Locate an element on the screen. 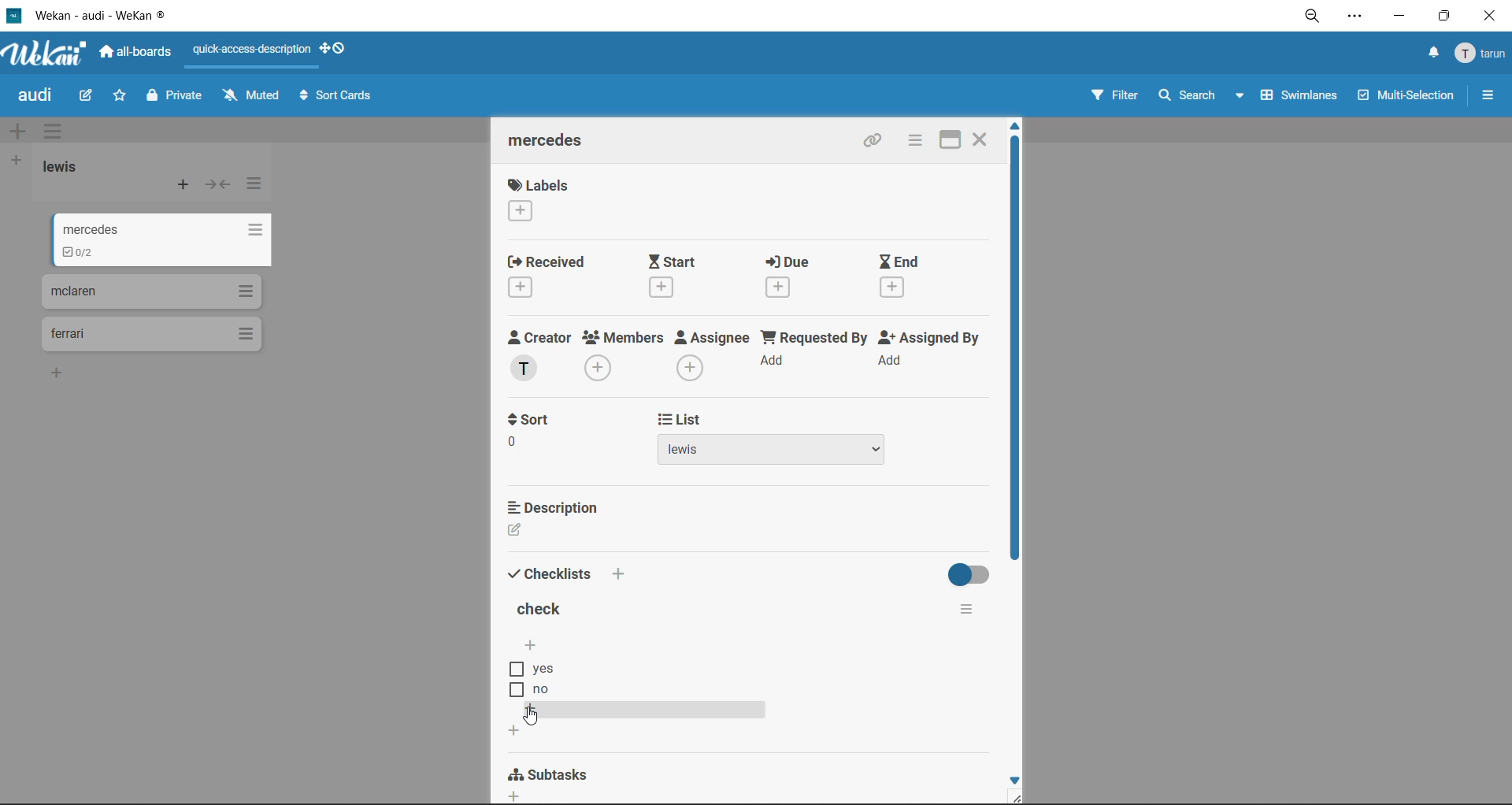 This screenshot has height=805, width=1512. 0 is located at coordinates (512, 443).